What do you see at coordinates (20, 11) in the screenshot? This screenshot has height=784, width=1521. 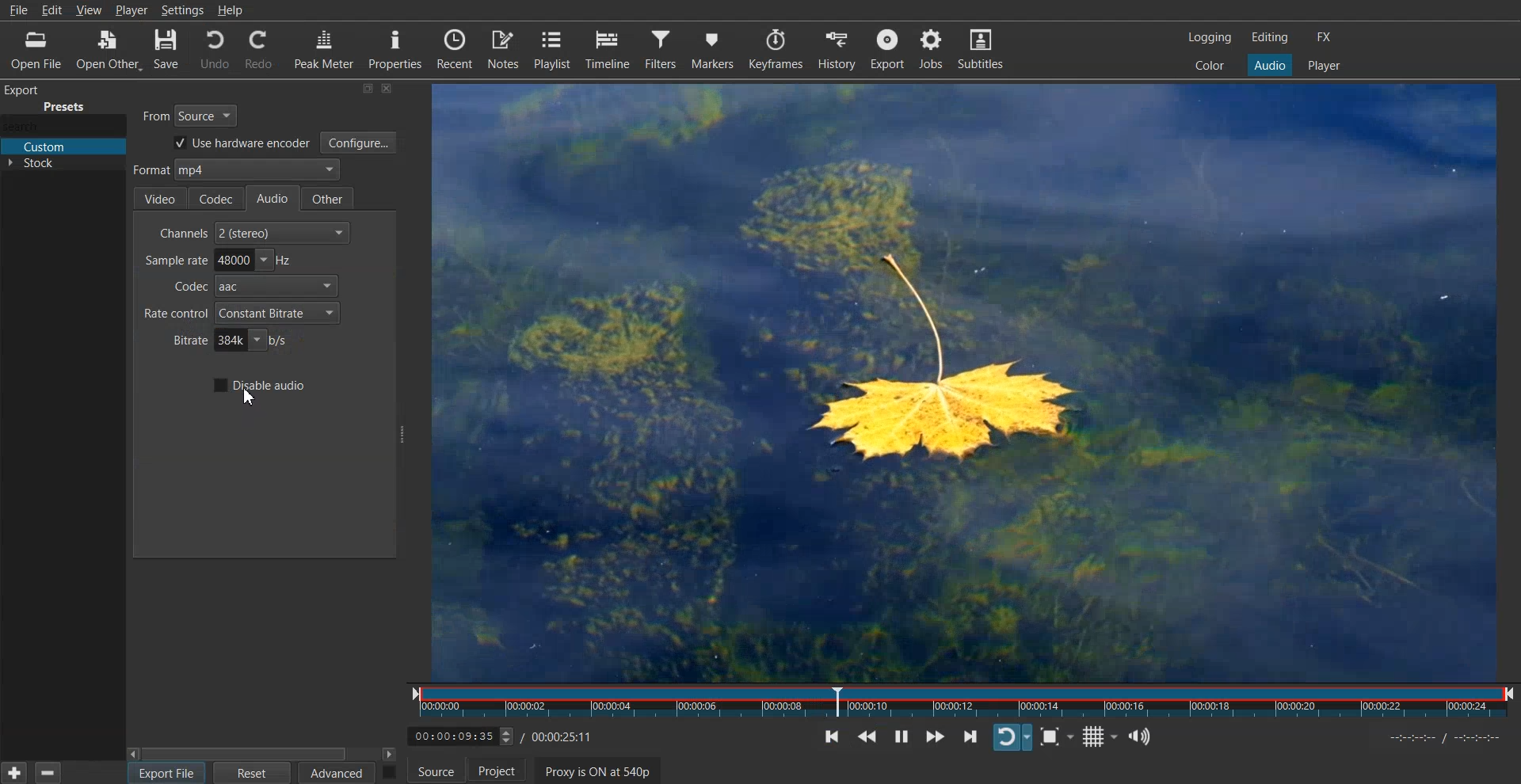 I see `File` at bounding box center [20, 11].